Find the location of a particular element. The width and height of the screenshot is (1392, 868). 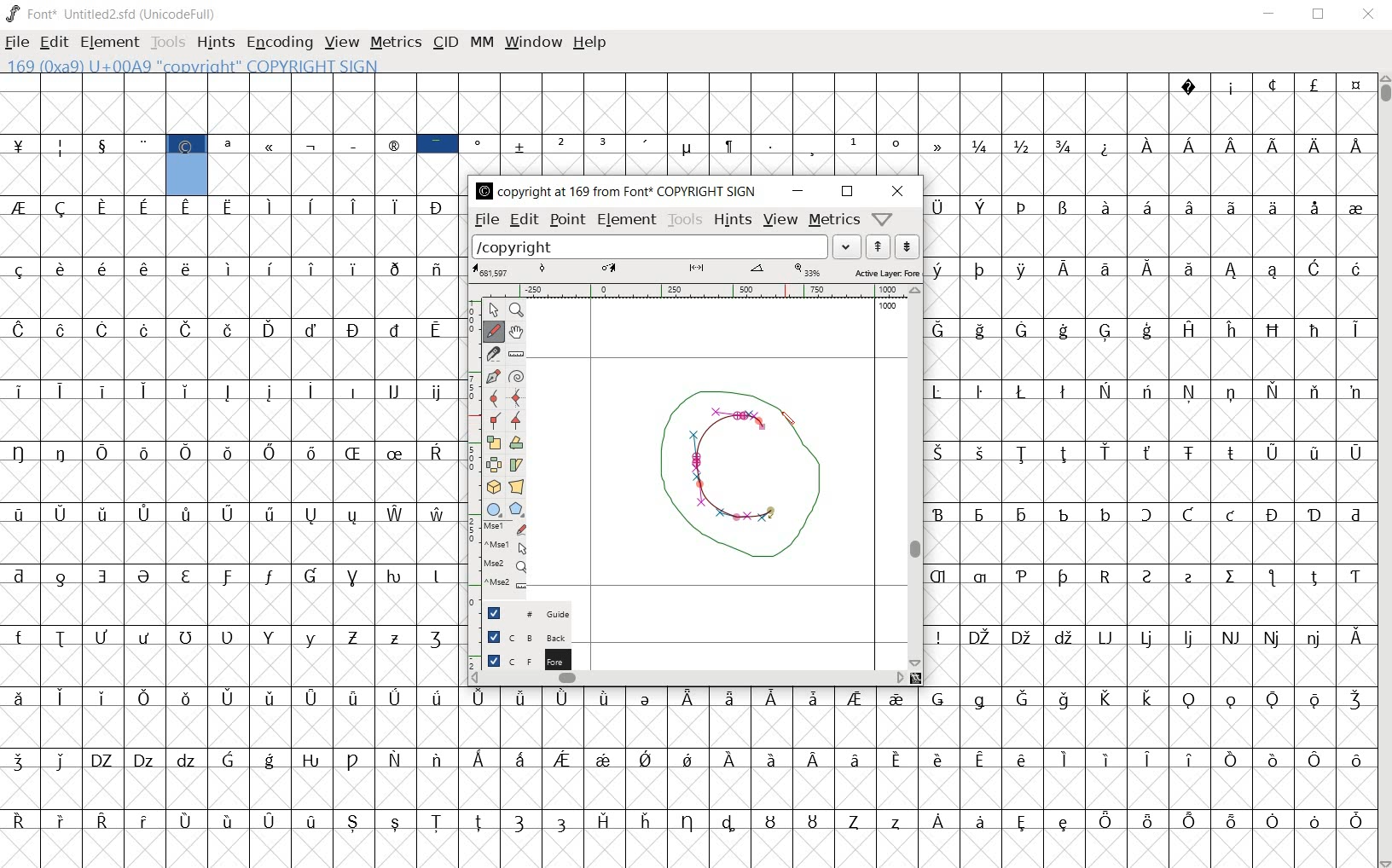

metrics is located at coordinates (832, 219).